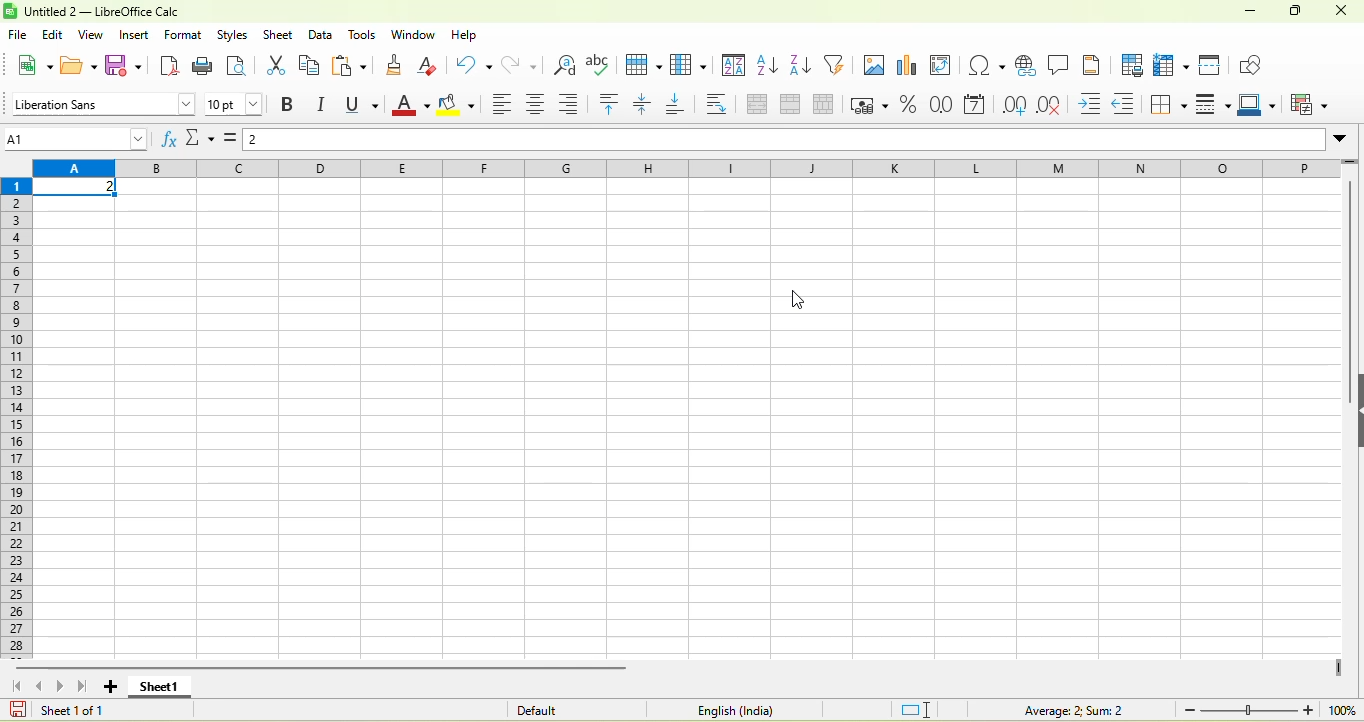  Describe the element at coordinates (944, 67) in the screenshot. I see `pivot table` at that location.